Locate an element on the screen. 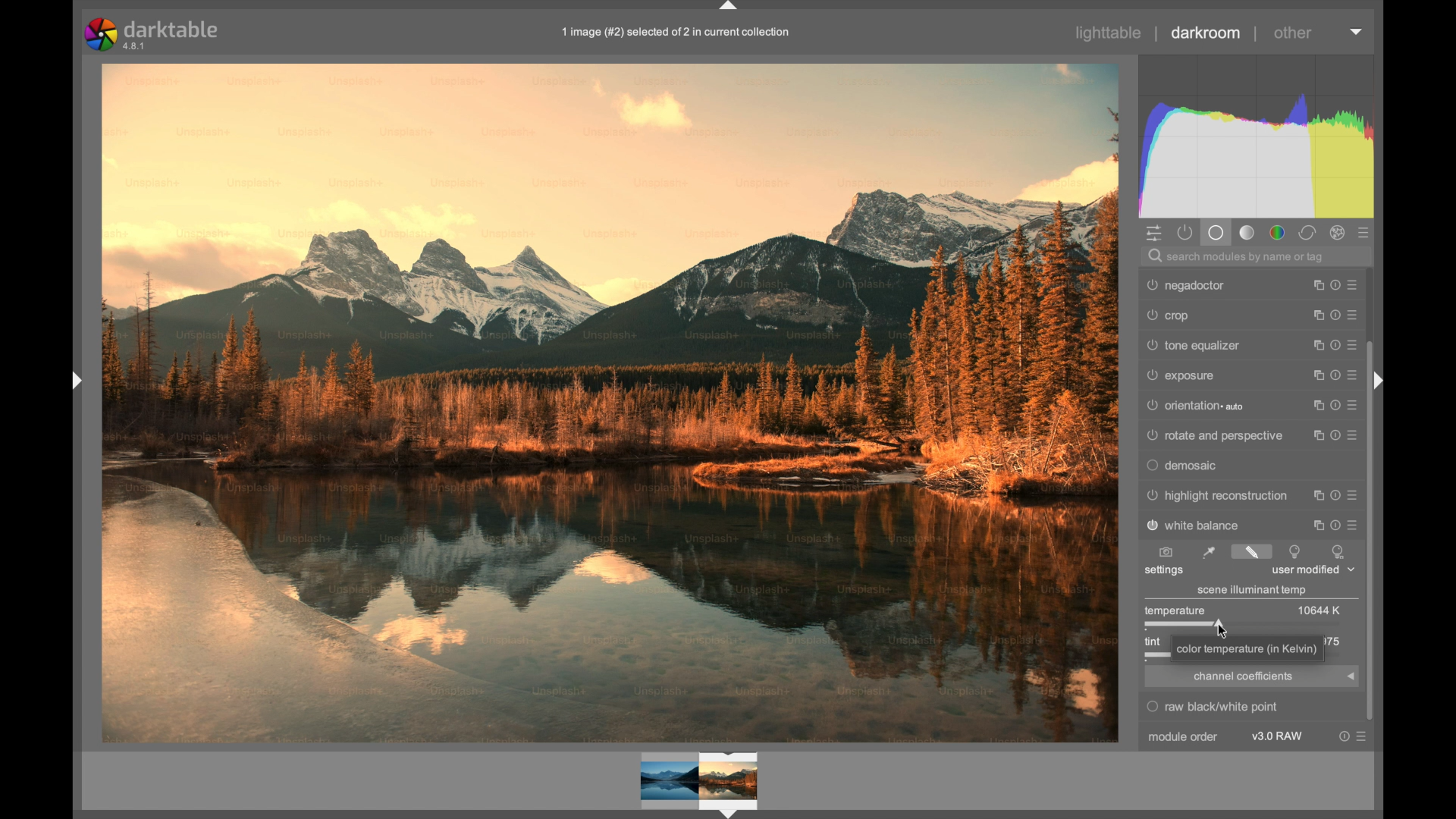 The image size is (1456, 819). Image is located at coordinates (611, 403).